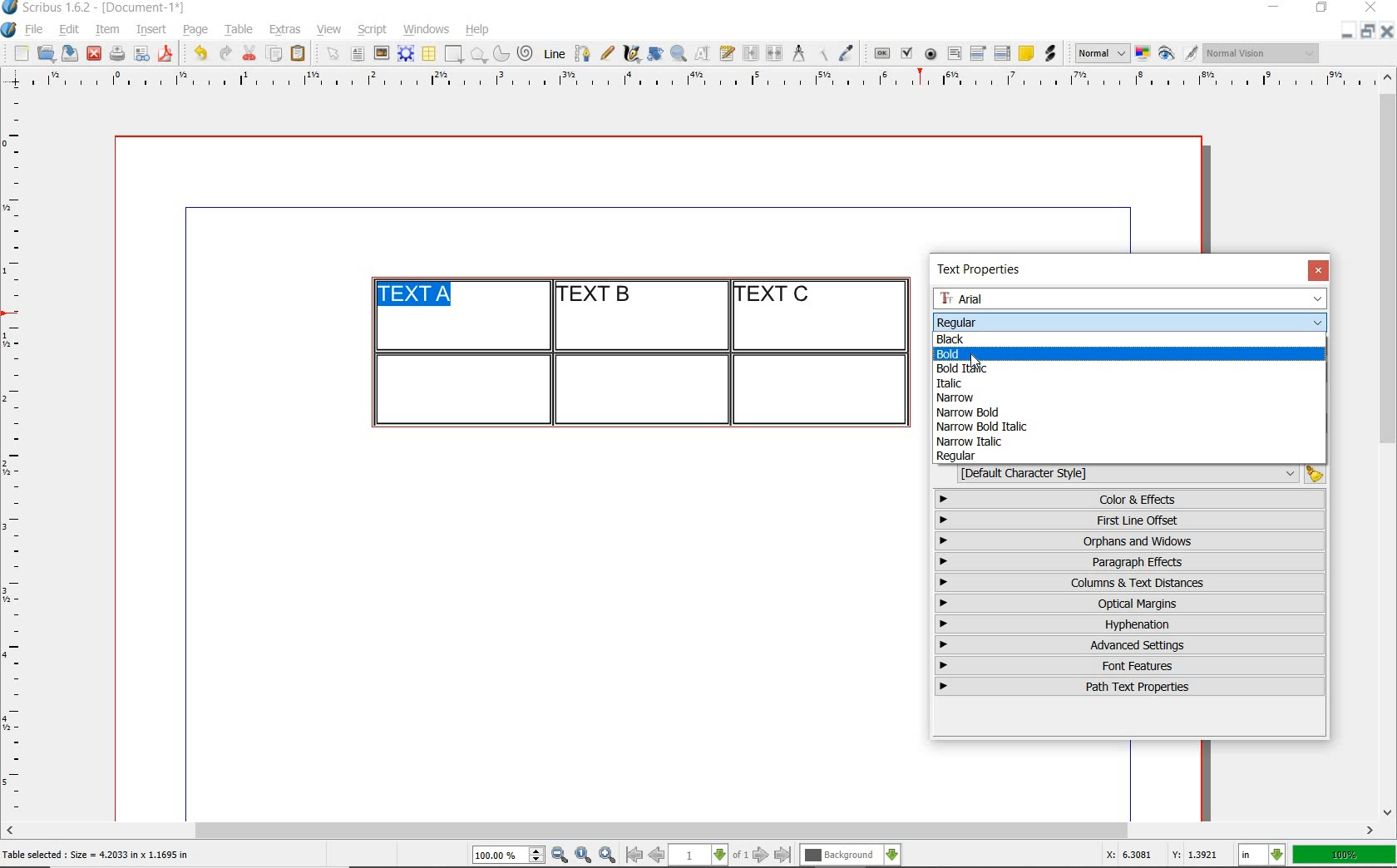 The width and height of the screenshot is (1397, 868). Describe the element at coordinates (168, 53) in the screenshot. I see `save as pdf` at that location.